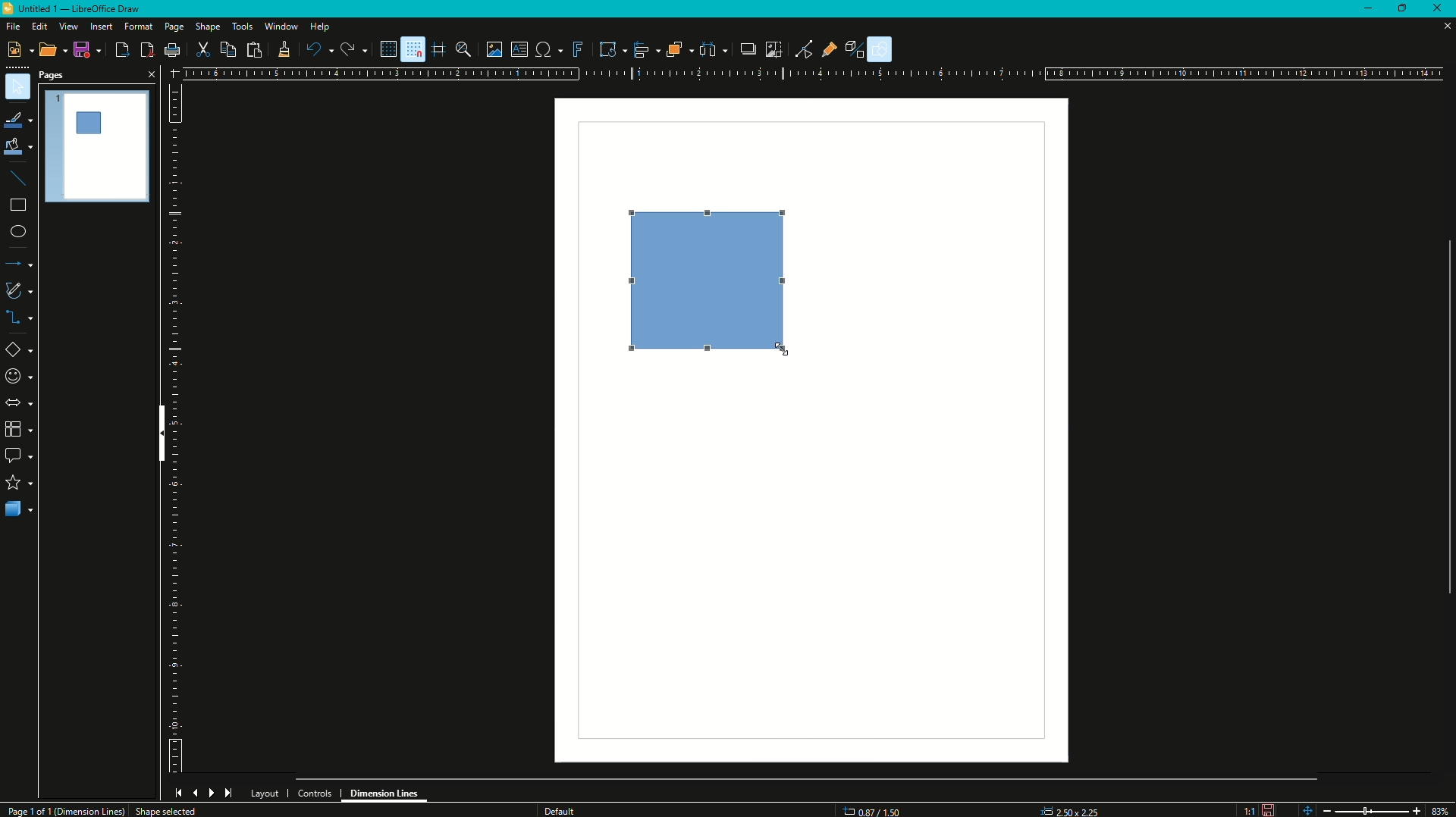  What do you see at coordinates (137, 27) in the screenshot?
I see `Format` at bounding box center [137, 27].